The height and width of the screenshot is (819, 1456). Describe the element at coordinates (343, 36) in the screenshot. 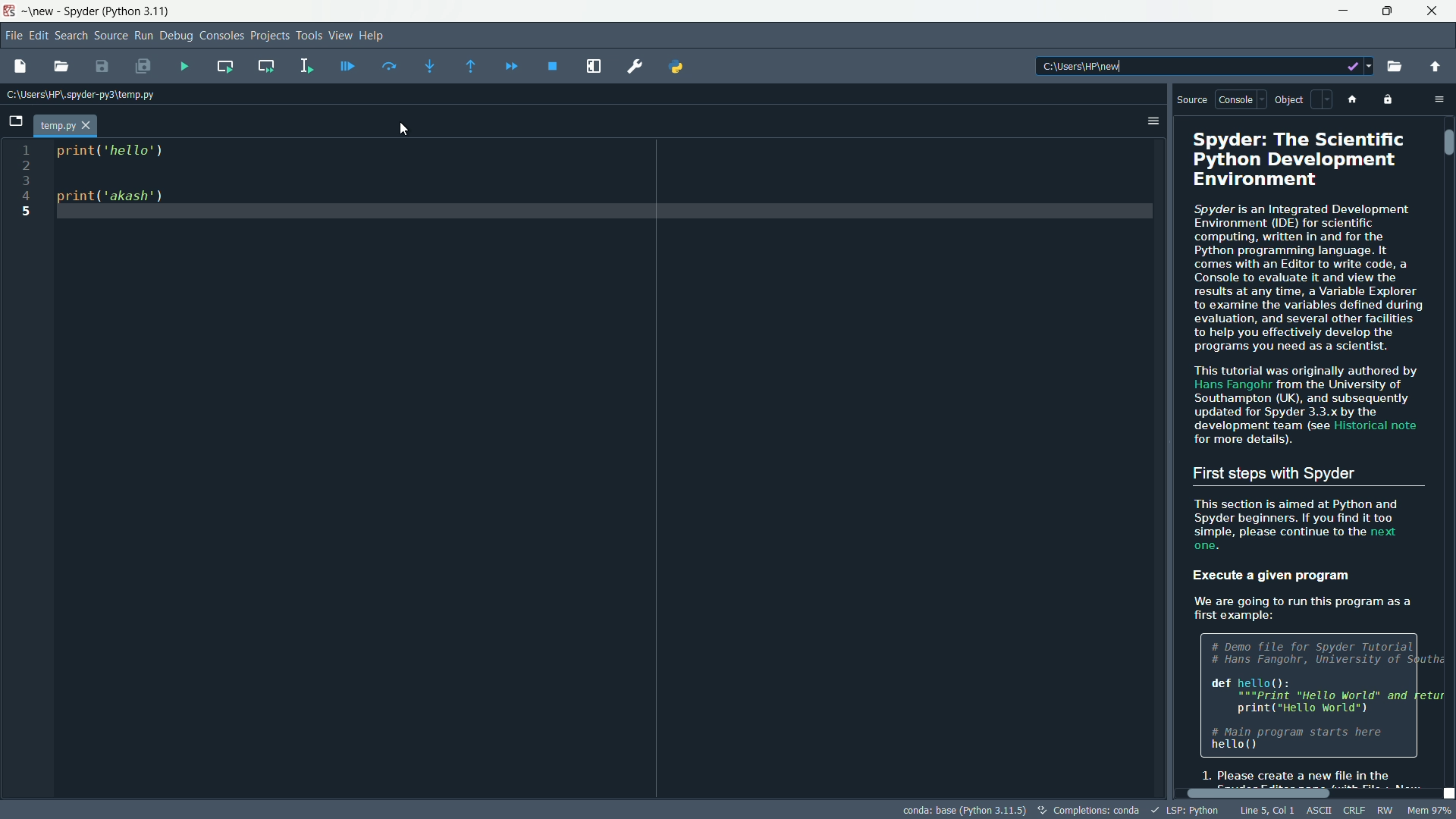

I see `view menu` at that location.